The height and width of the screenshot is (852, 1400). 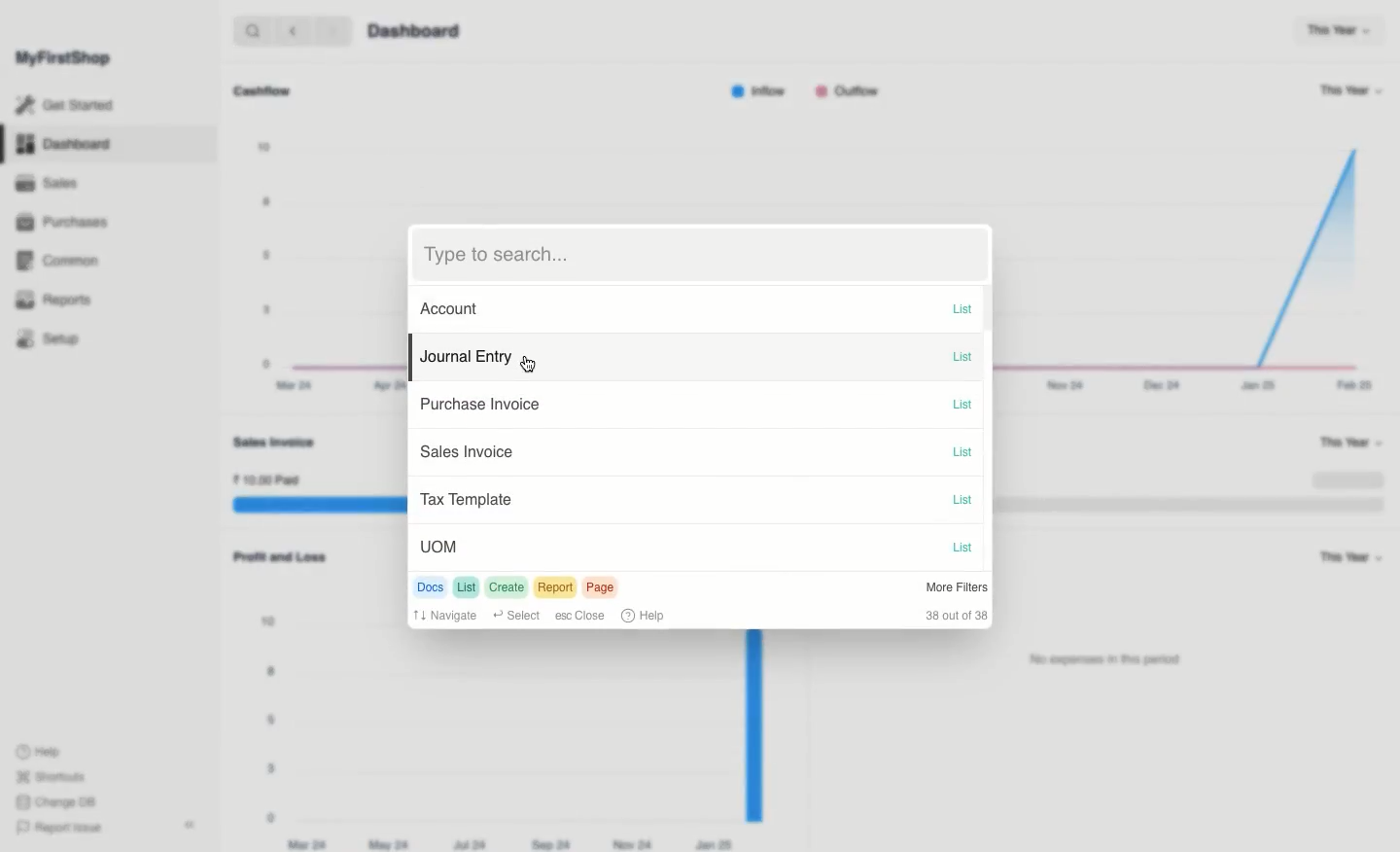 I want to click on Report Issue, so click(x=57, y=828).